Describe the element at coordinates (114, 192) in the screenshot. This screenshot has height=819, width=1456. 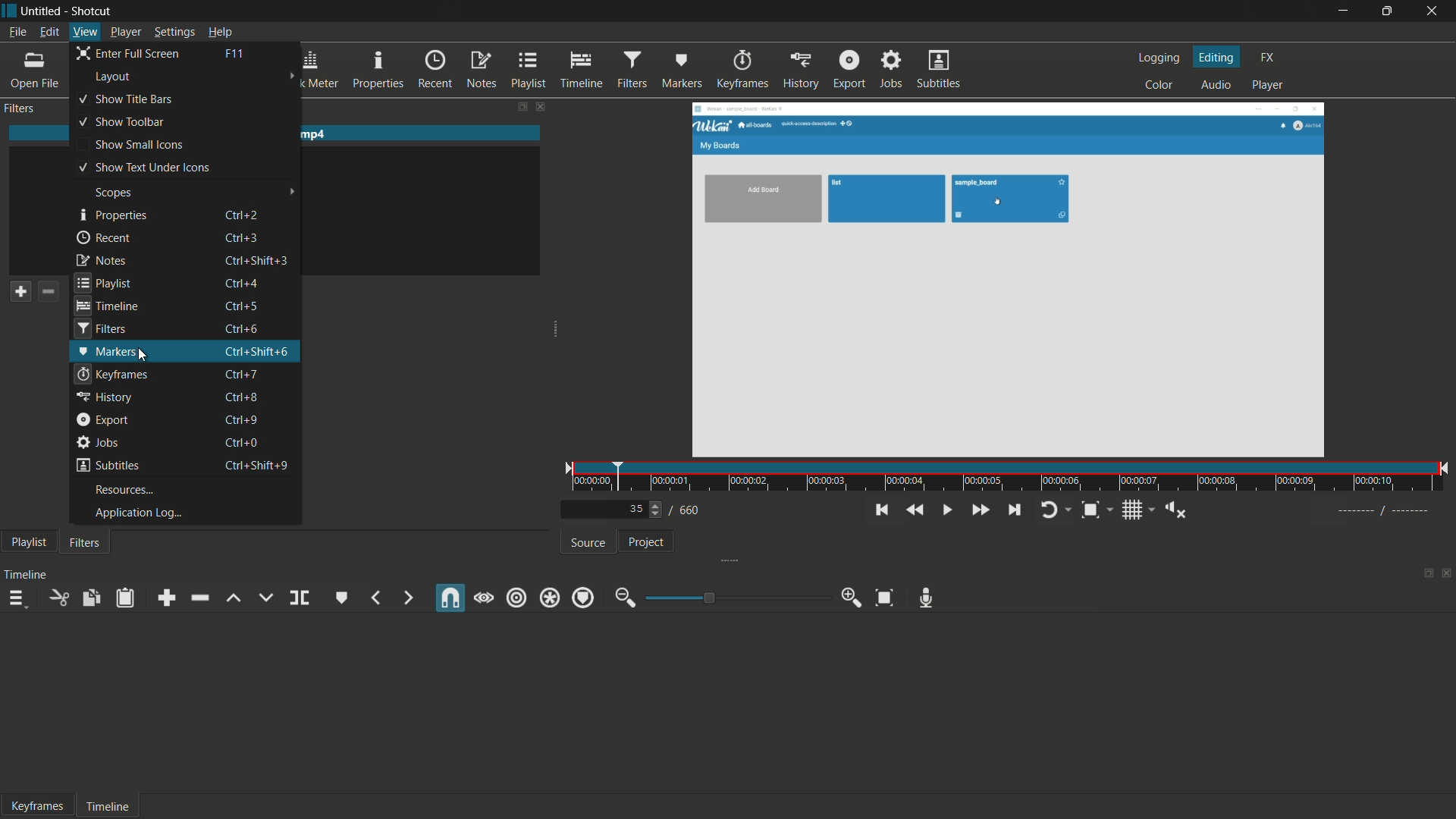
I see `scopes` at that location.